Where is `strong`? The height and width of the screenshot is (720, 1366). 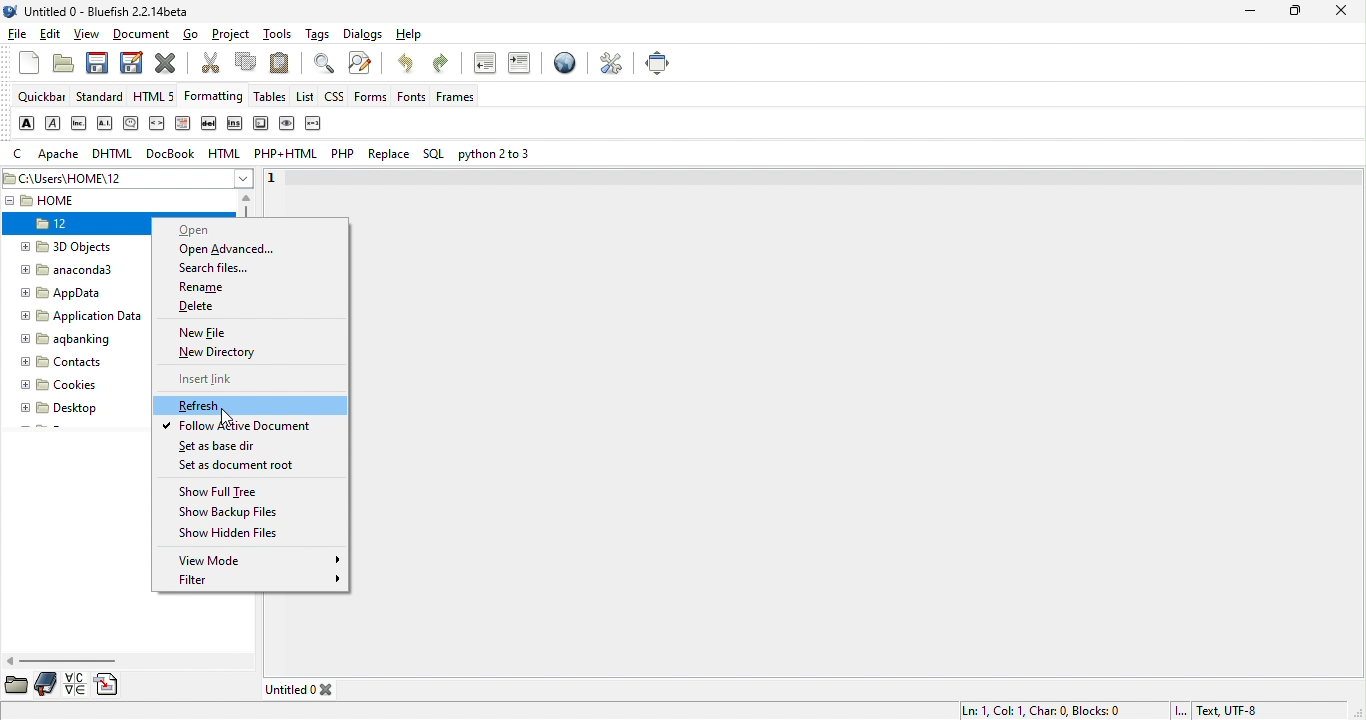 strong is located at coordinates (25, 123).